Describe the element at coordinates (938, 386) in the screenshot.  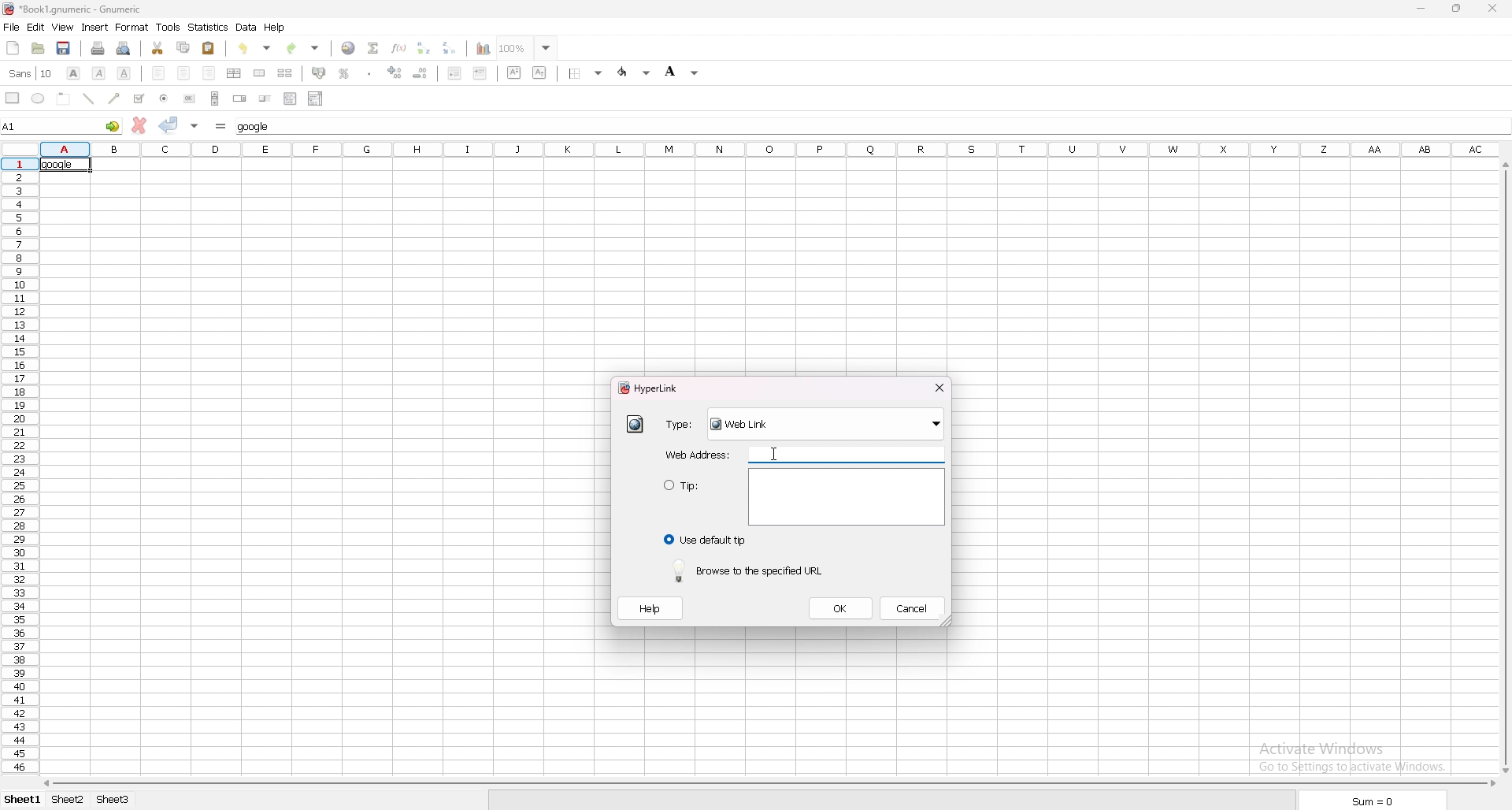
I see `close` at that location.